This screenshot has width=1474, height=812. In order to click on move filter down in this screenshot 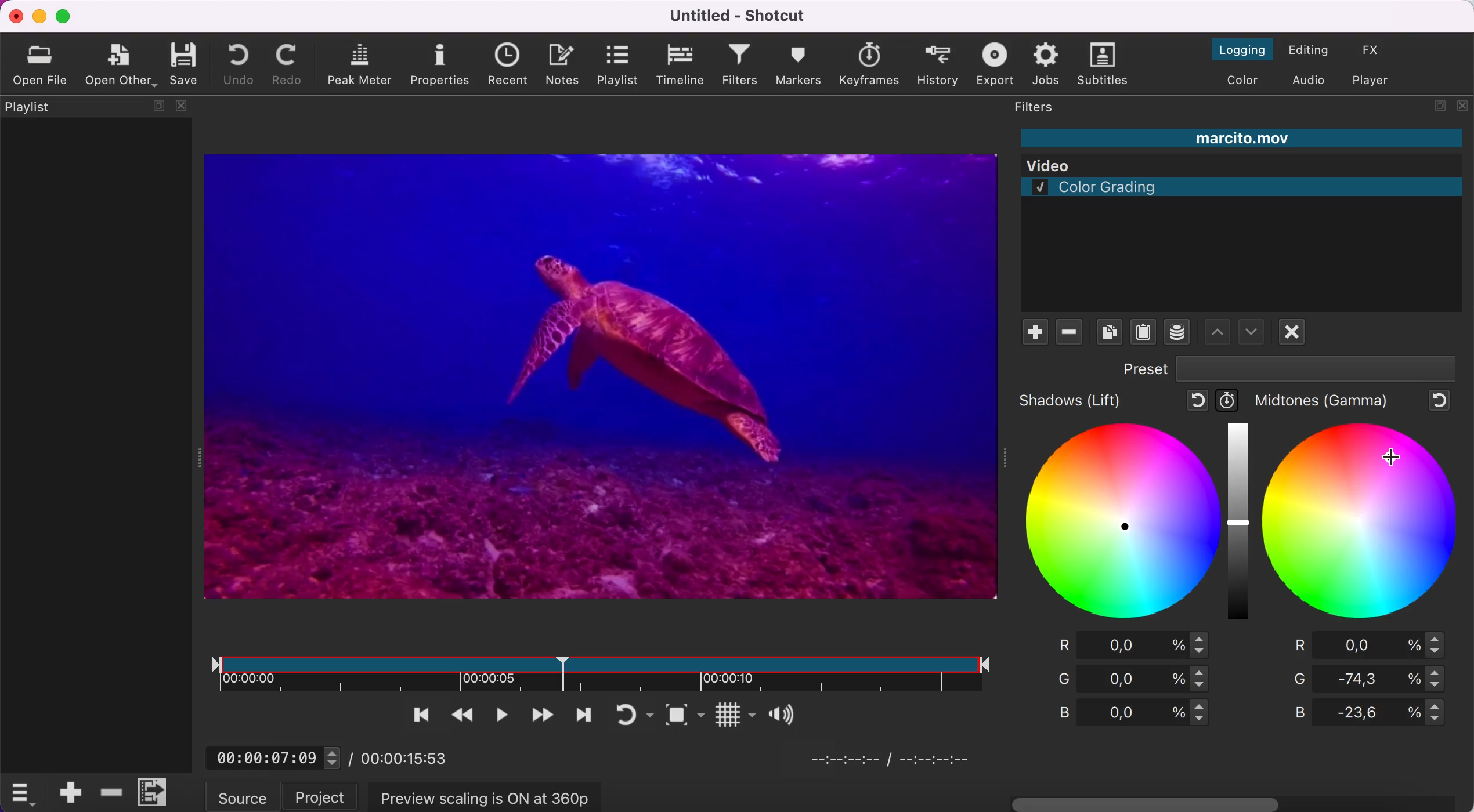, I will do `click(1216, 332)`.